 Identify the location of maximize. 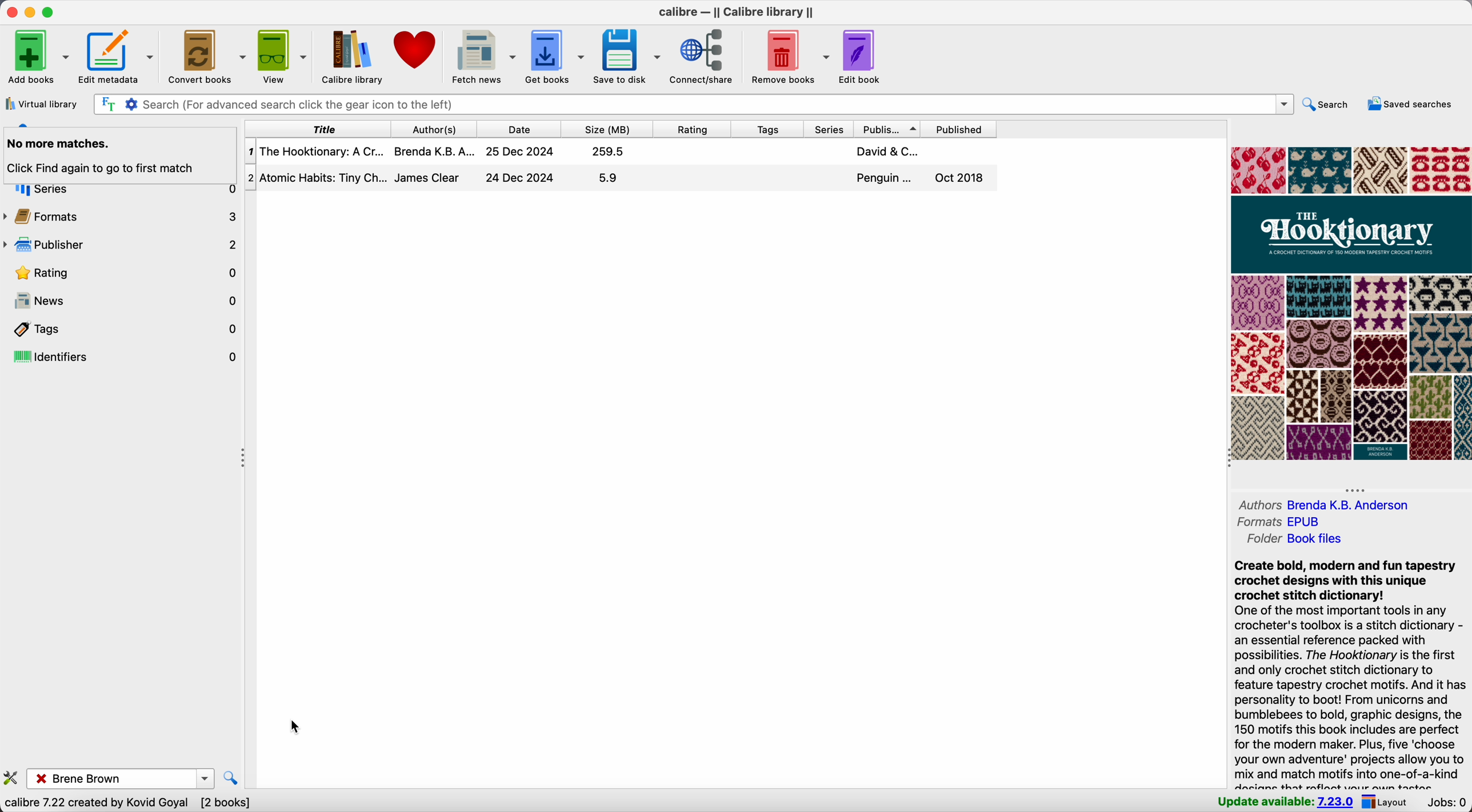
(53, 13).